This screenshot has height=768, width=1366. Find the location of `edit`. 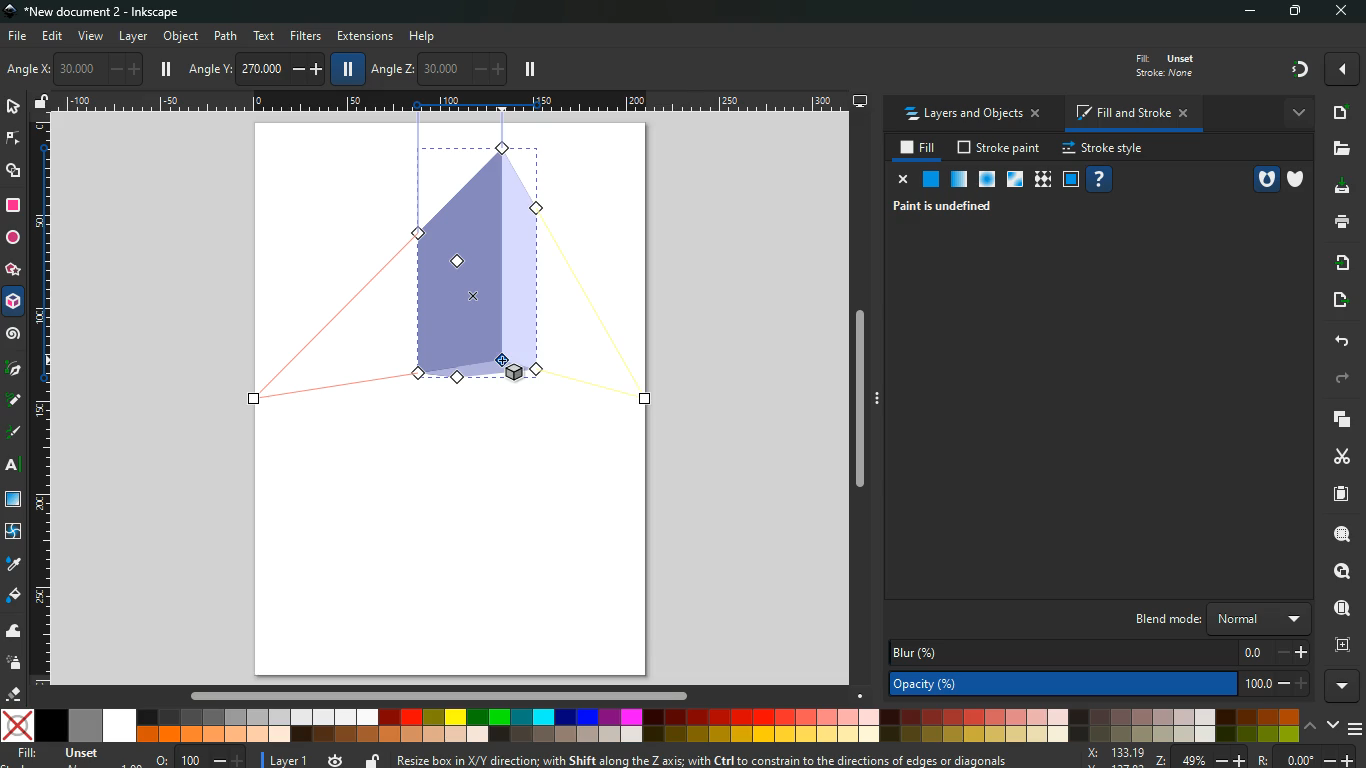

edit is located at coordinates (54, 36).